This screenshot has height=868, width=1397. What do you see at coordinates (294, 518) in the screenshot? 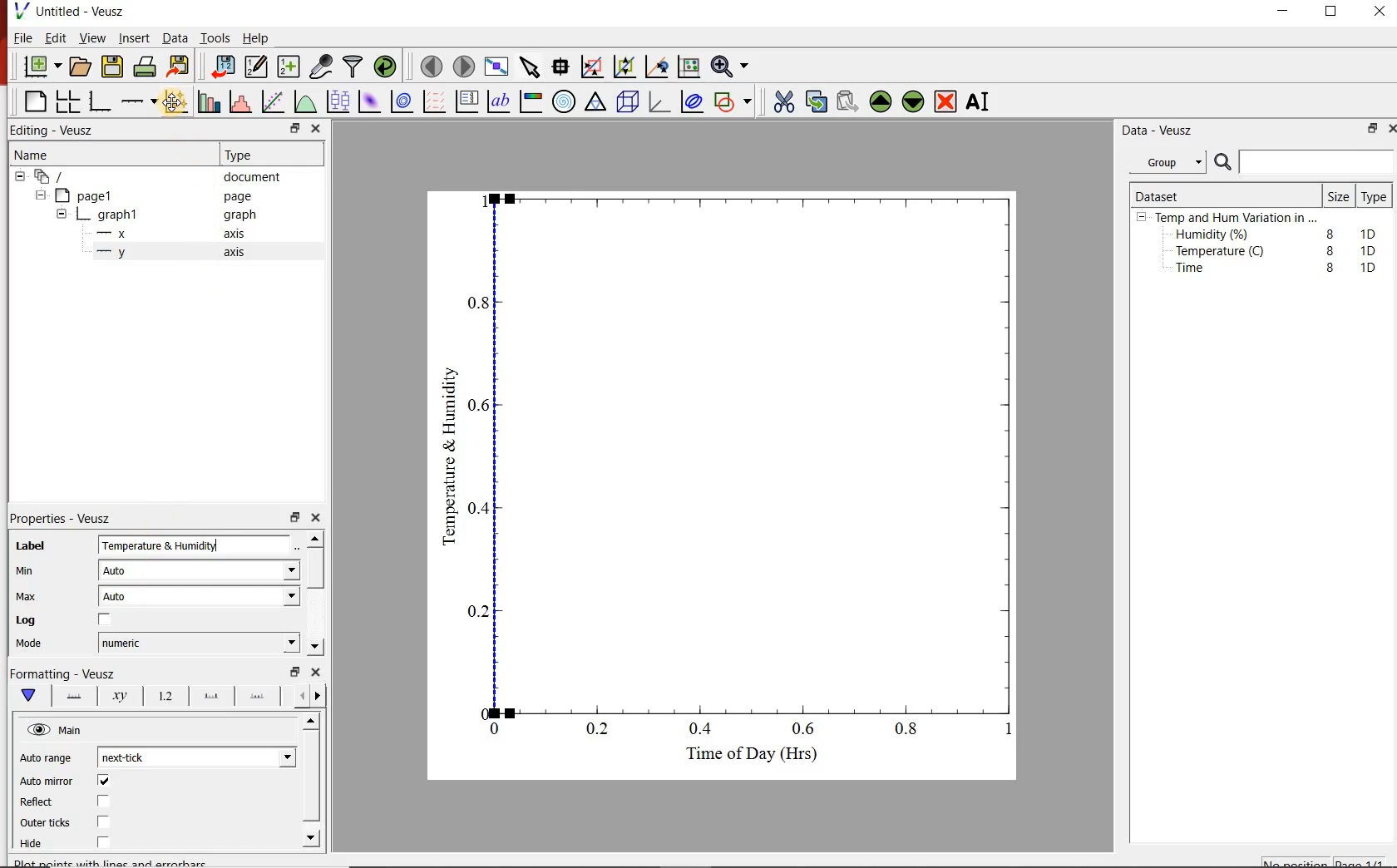
I see `restore down` at bounding box center [294, 518].